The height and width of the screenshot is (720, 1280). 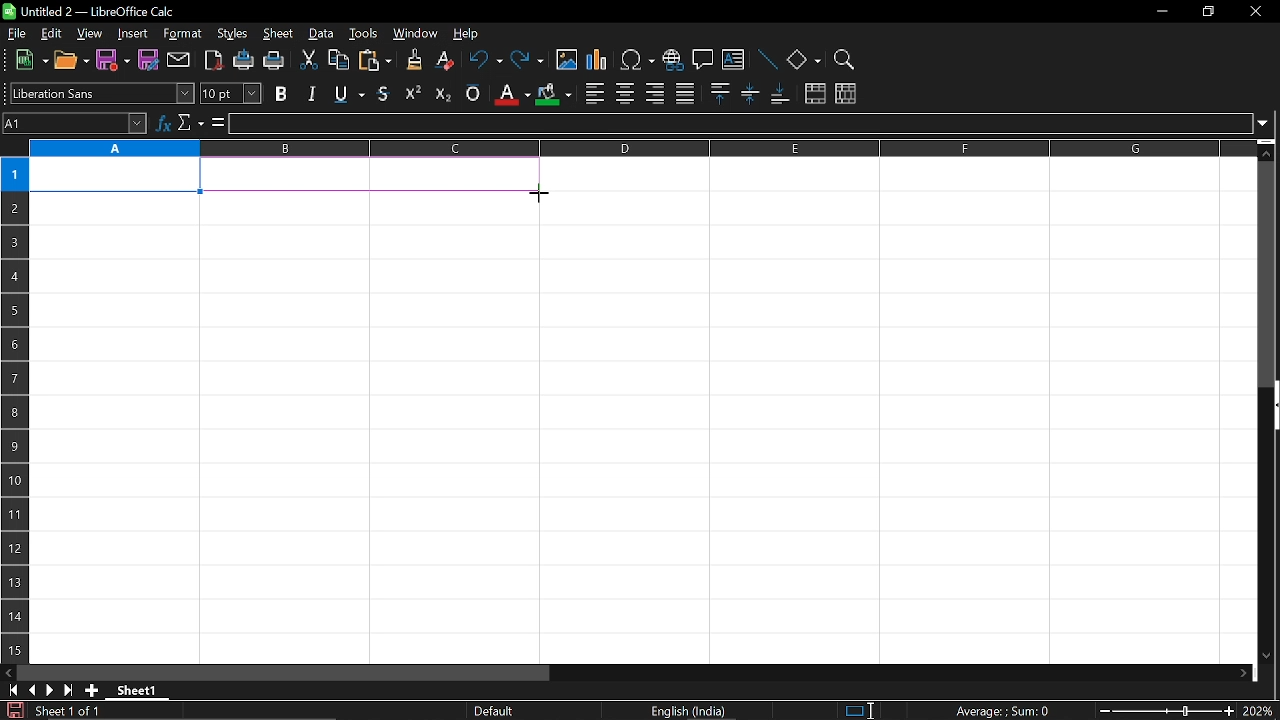 I want to click on go to first page, so click(x=10, y=691).